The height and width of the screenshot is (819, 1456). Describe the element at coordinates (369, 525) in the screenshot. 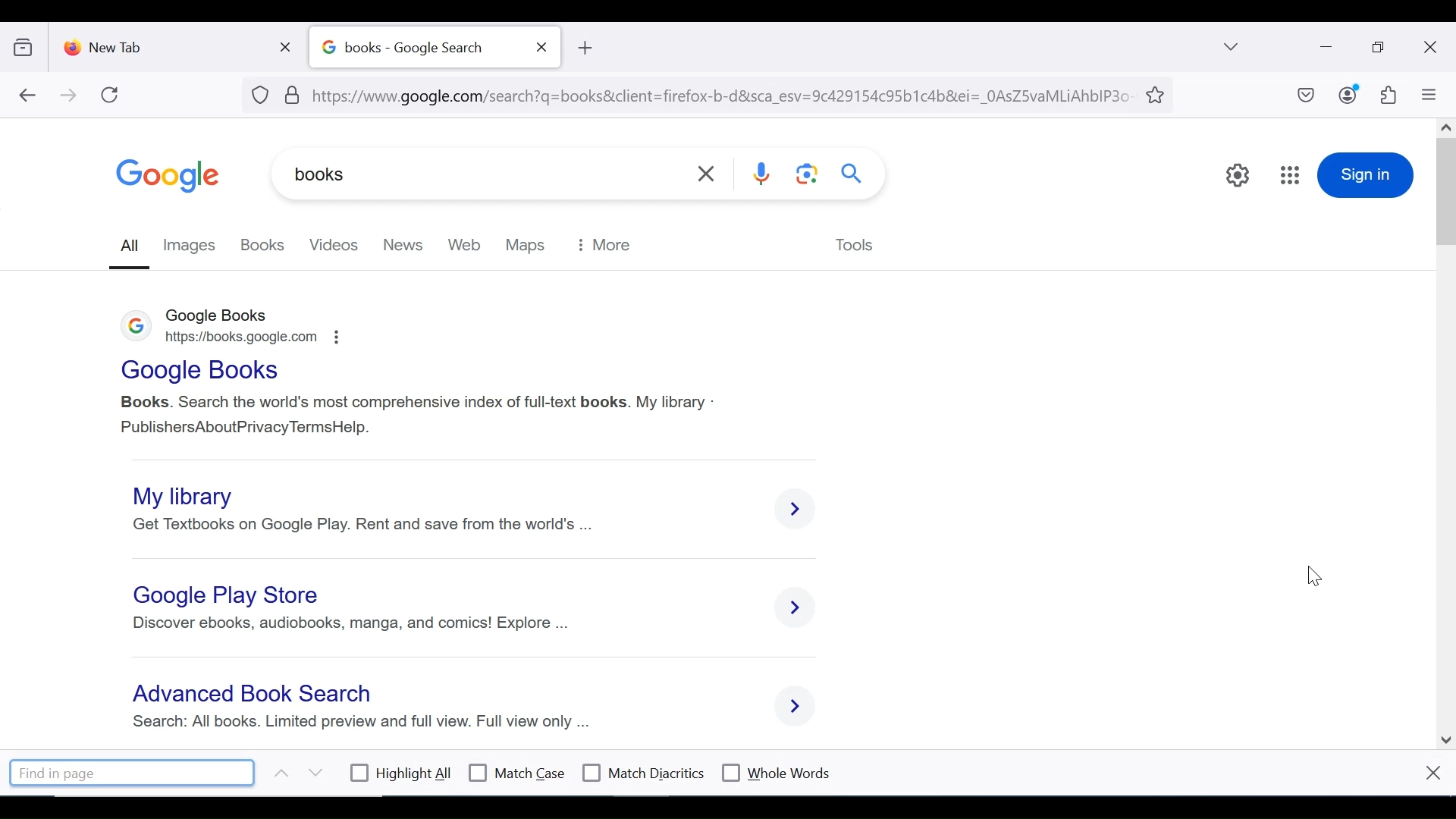

I see `get the textbooks on Google Play. Rent and save from the world's finest` at that location.